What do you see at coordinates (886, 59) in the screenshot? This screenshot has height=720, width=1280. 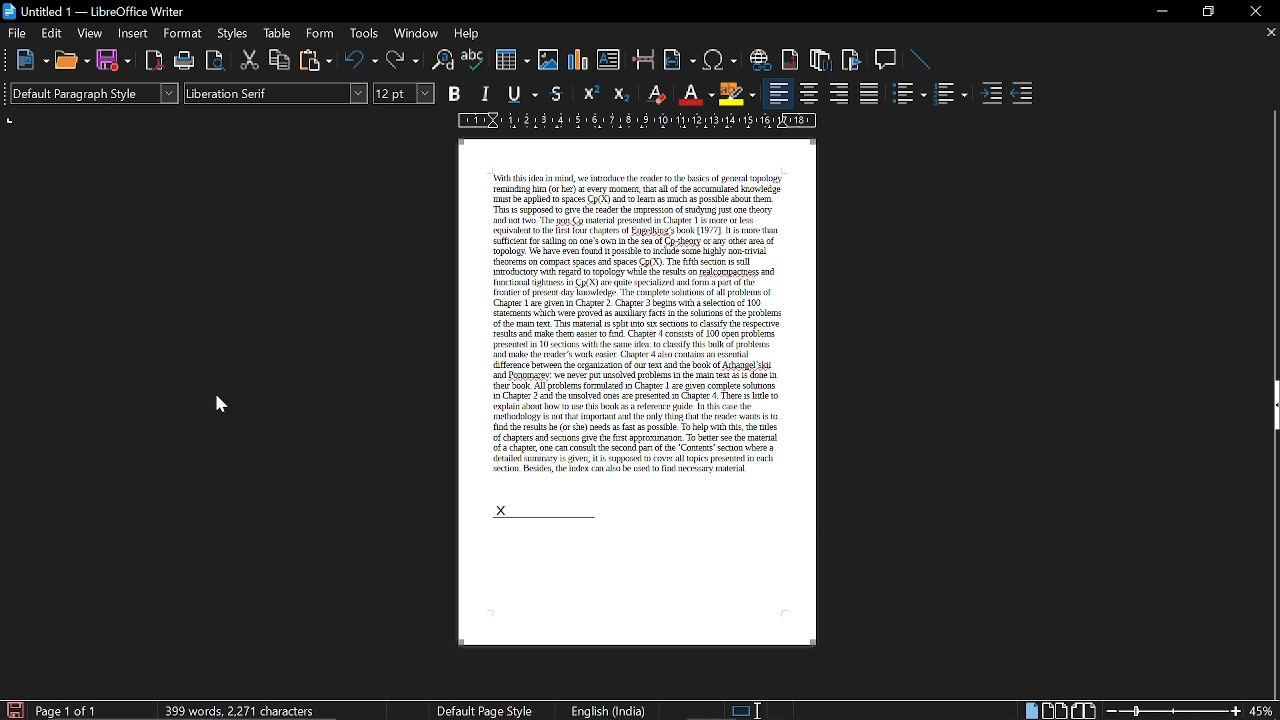 I see `insert comment` at bounding box center [886, 59].